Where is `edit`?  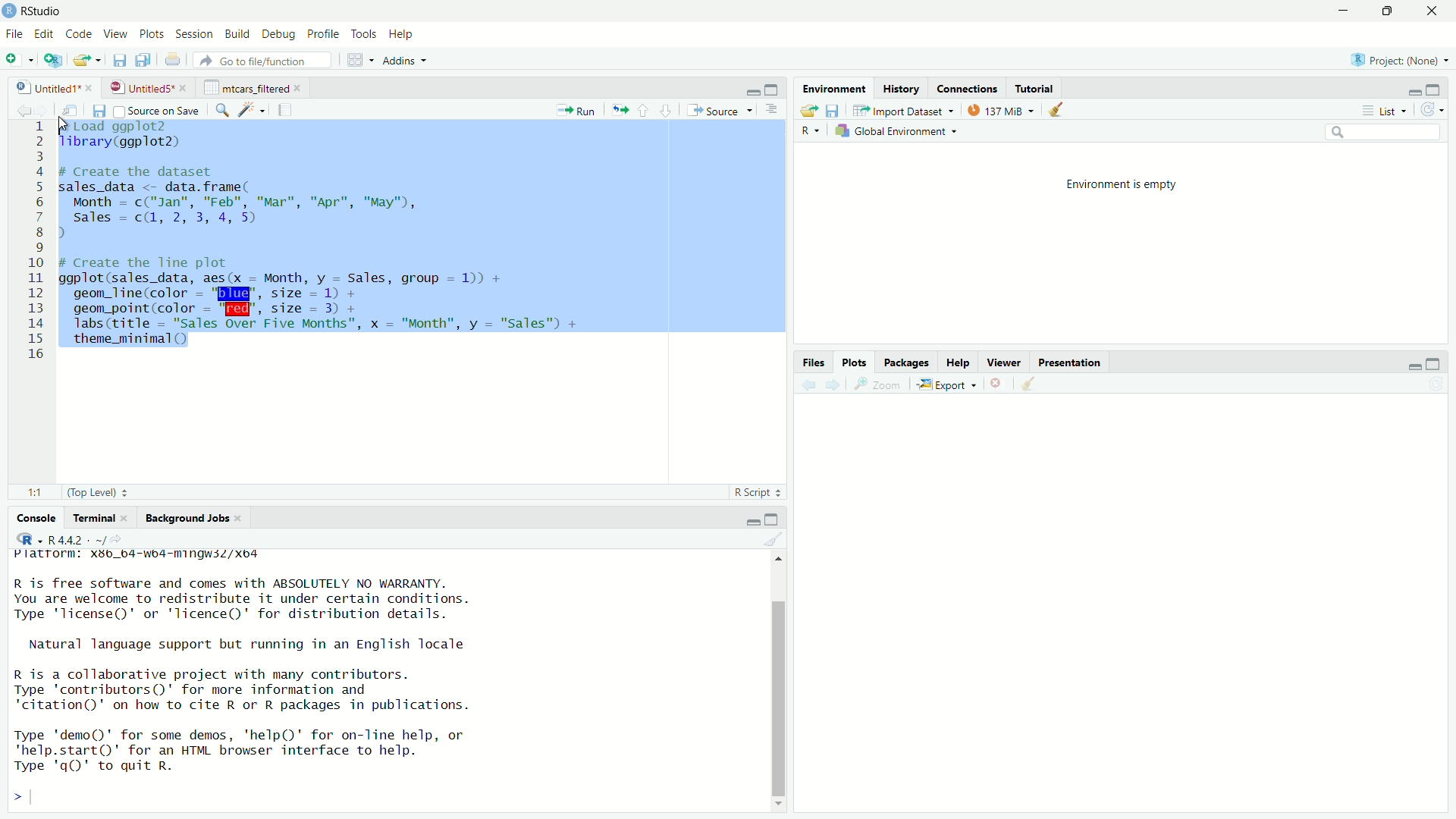 edit is located at coordinates (45, 34).